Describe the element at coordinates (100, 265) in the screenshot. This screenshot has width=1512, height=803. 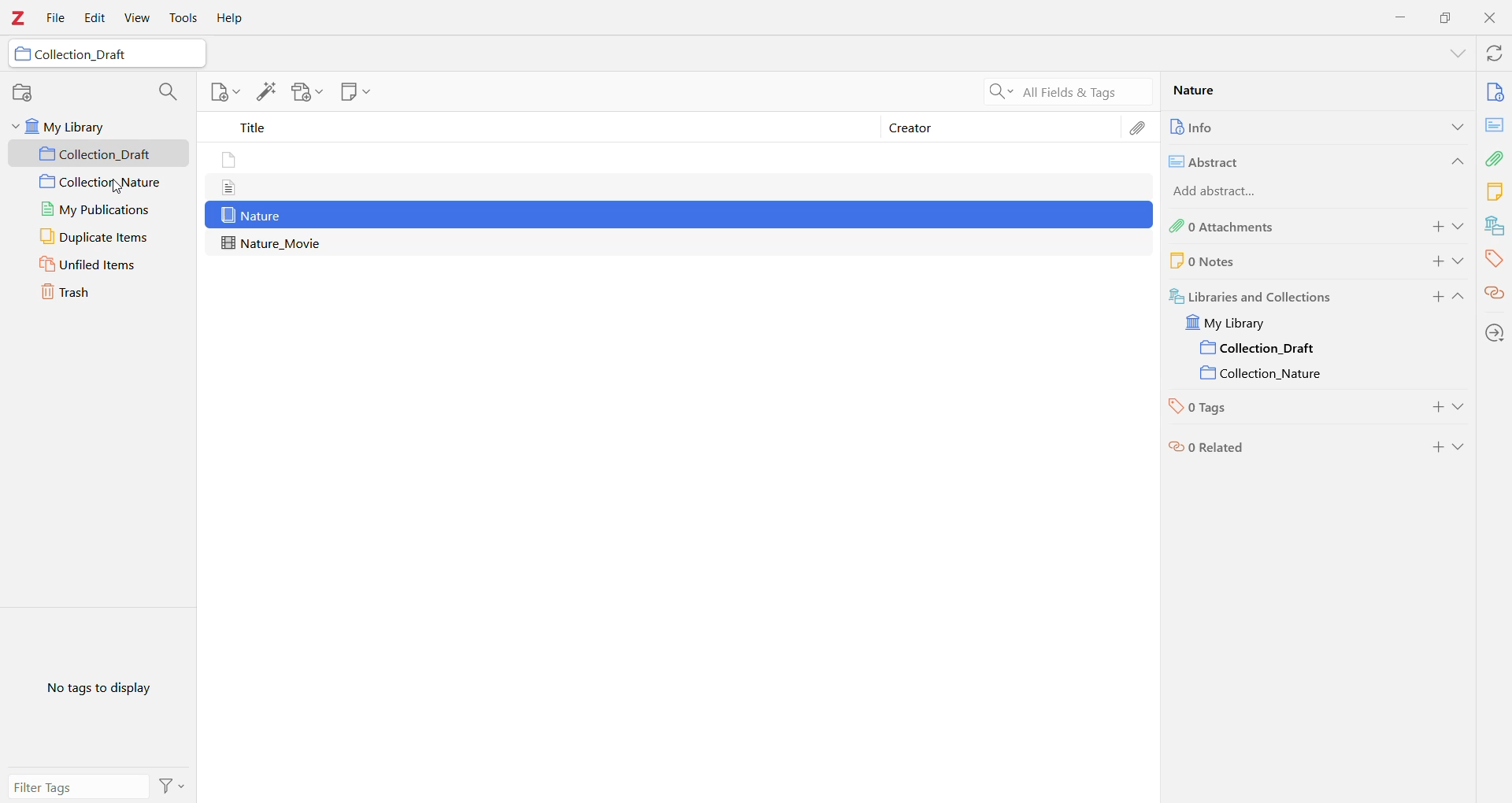
I see `Unfiled Items` at that location.